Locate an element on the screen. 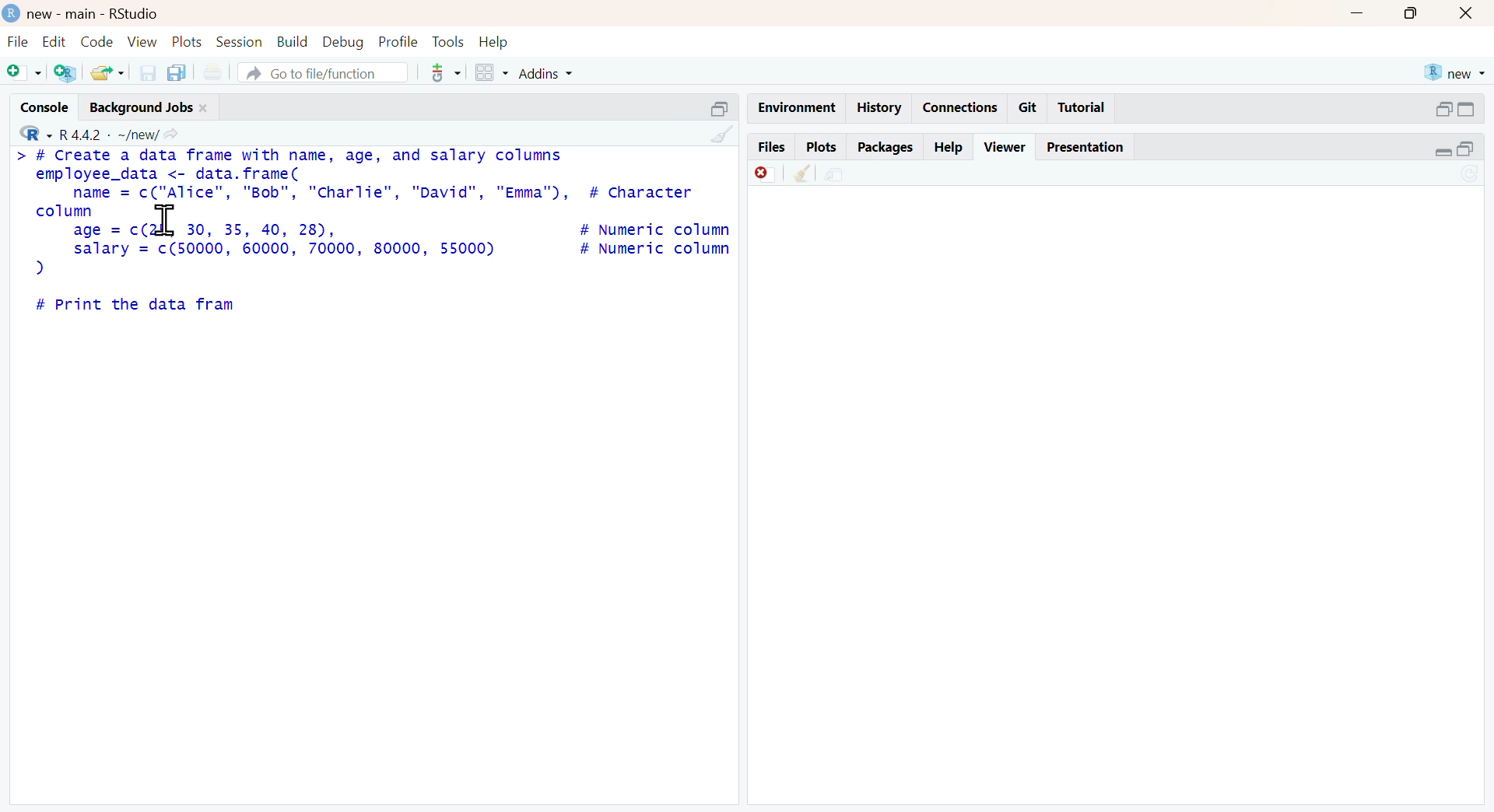 The image size is (1494, 812). Connections is located at coordinates (963, 105).